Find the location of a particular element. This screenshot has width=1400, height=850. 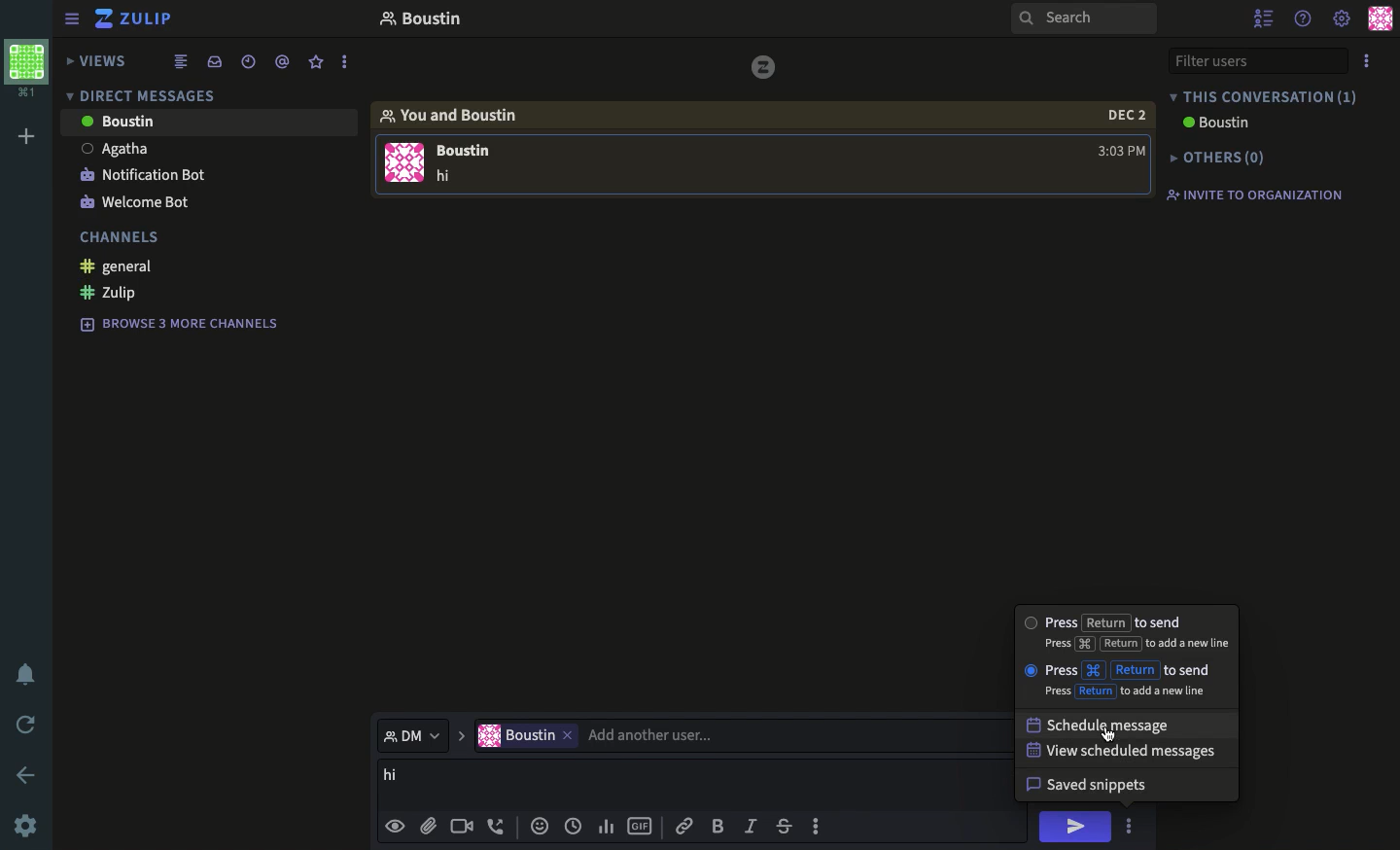

date time is located at coordinates (573, 826).